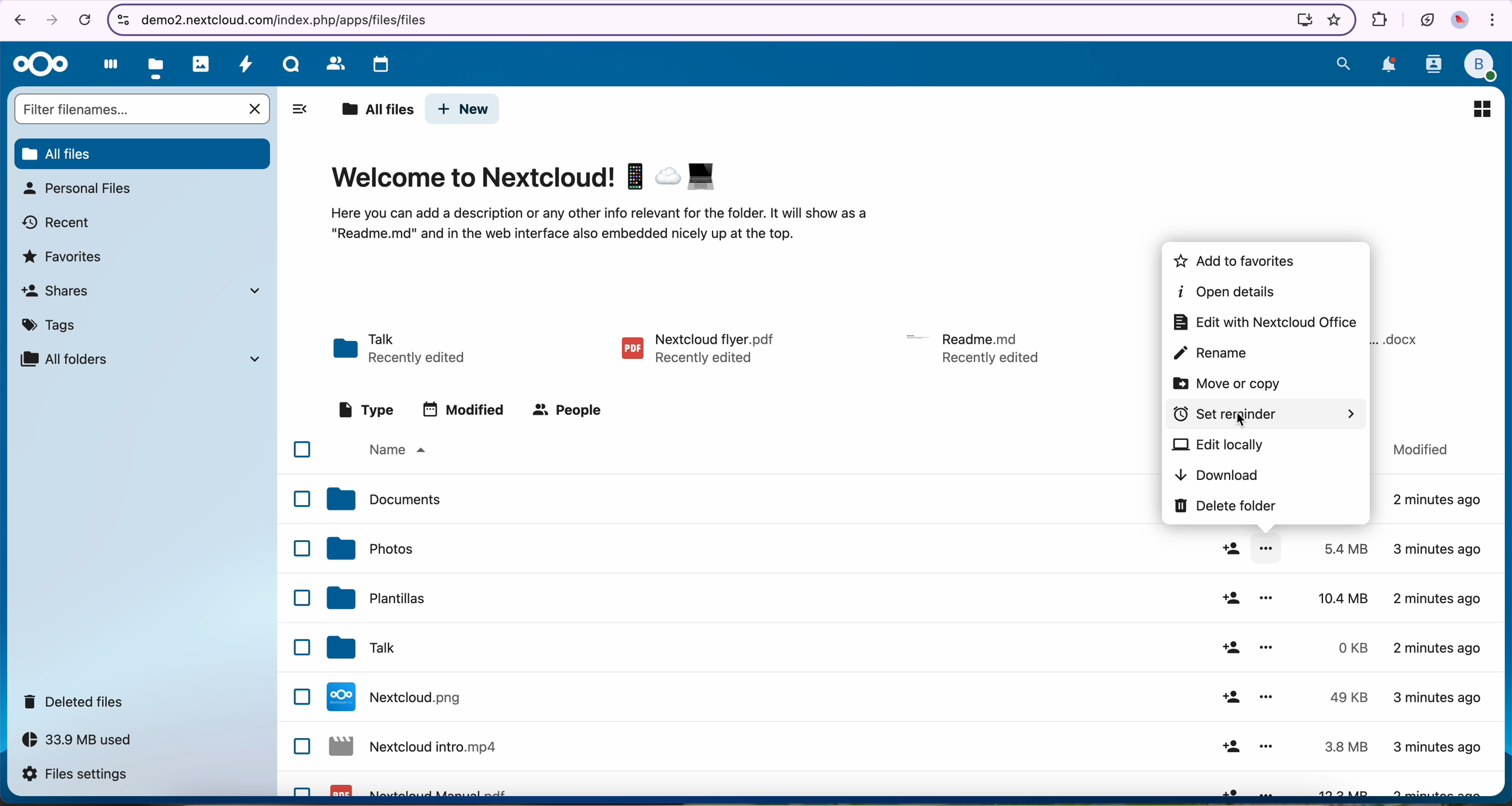 This screenshot has width=1512, height=806. Describe the element at coordinates (423, 788) in the screenshot. I see `Nextcloud pdf` at that location.